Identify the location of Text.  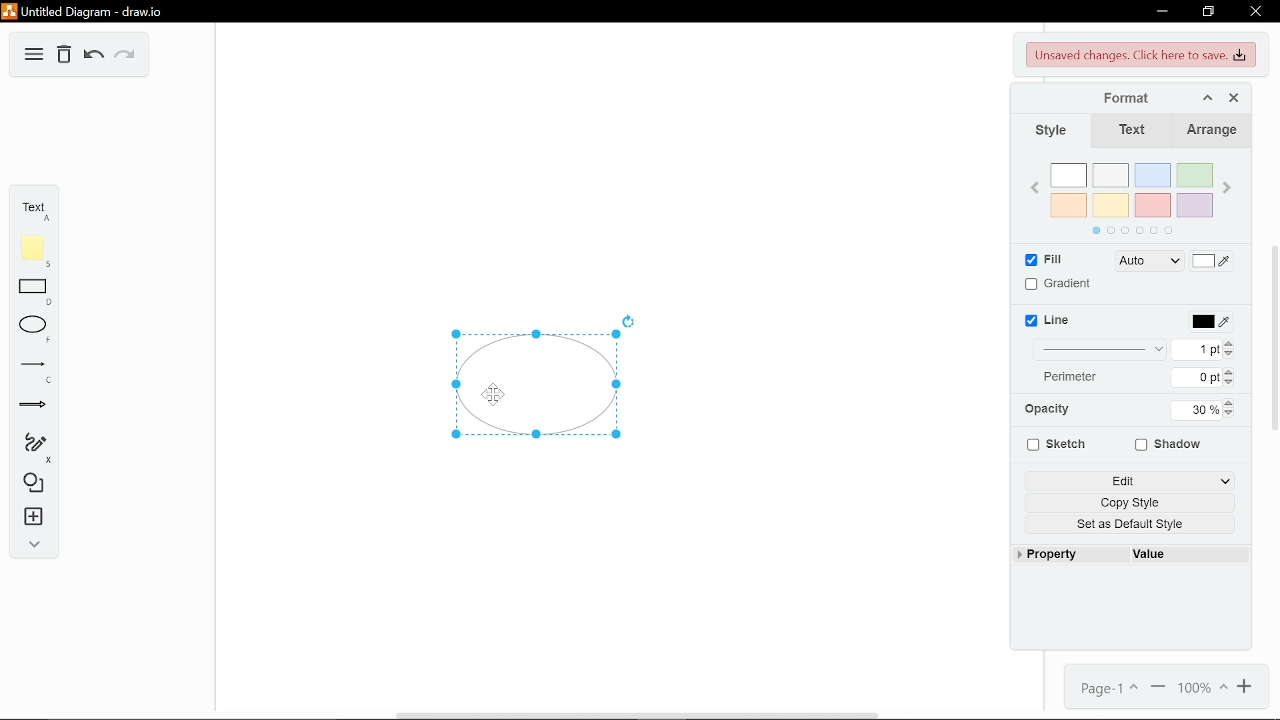
(1131, 130).